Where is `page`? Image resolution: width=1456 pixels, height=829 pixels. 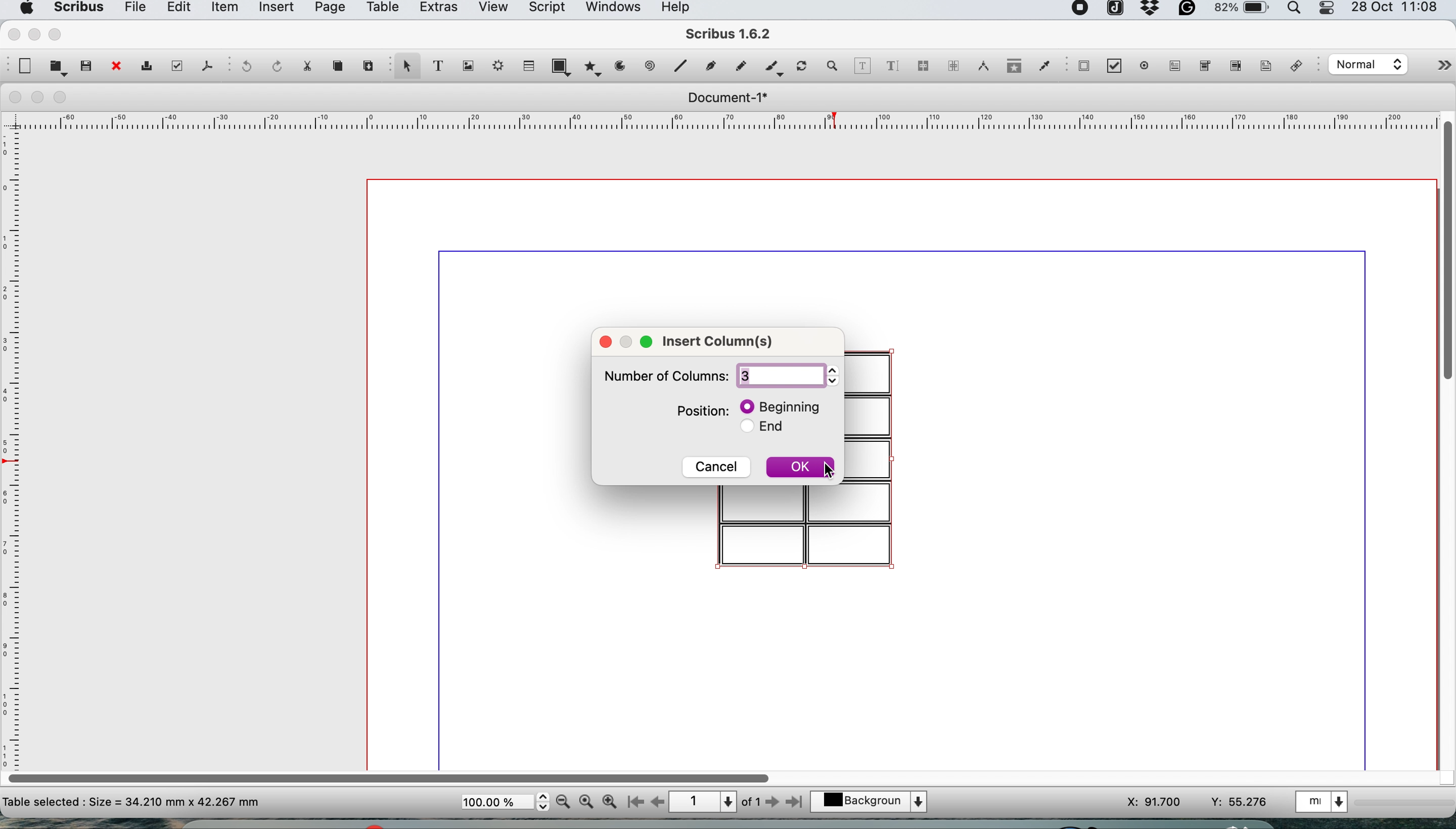
page is located at coordinates (328, 10).